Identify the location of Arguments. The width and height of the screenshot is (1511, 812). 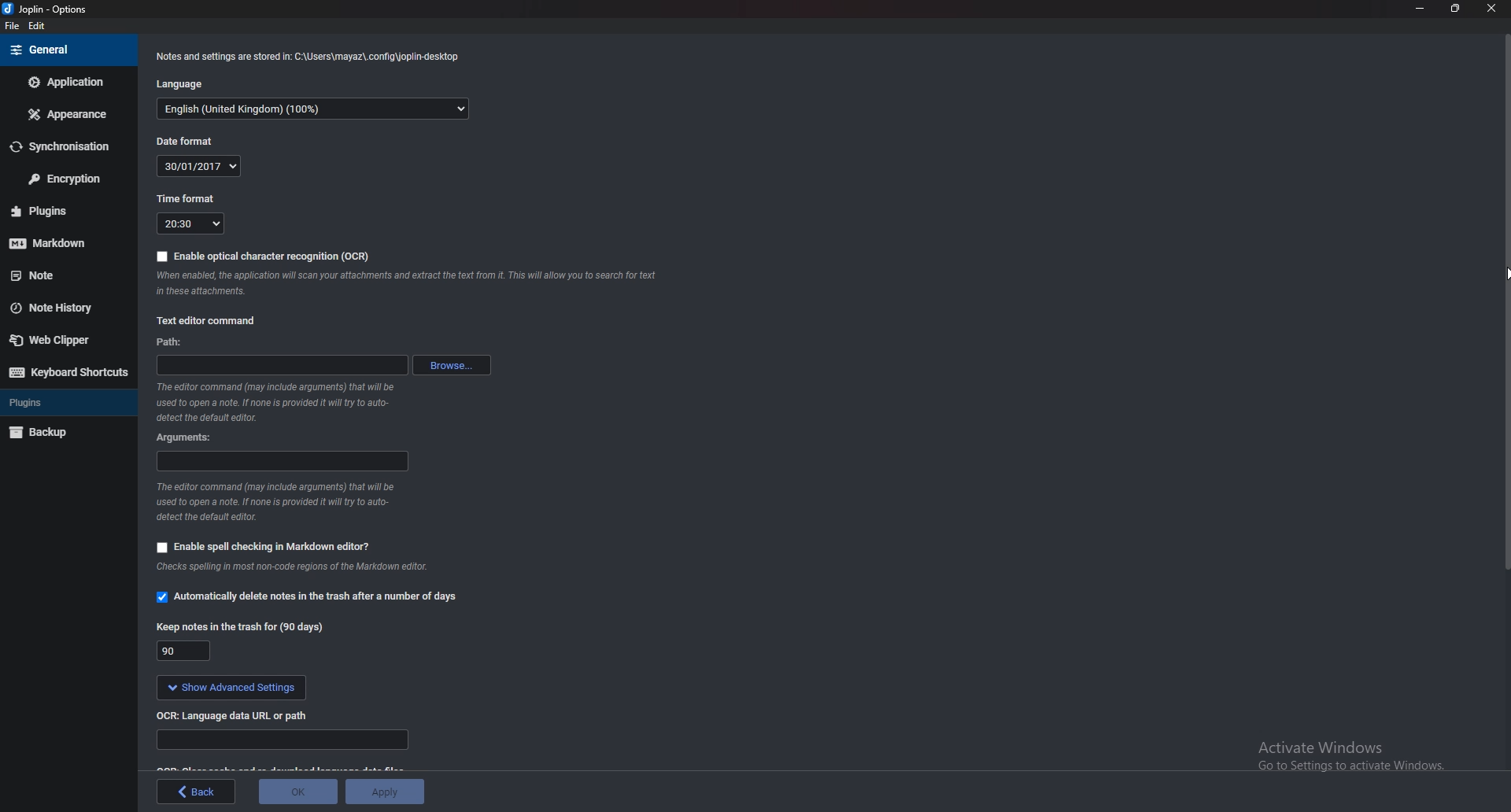
(282, 460).